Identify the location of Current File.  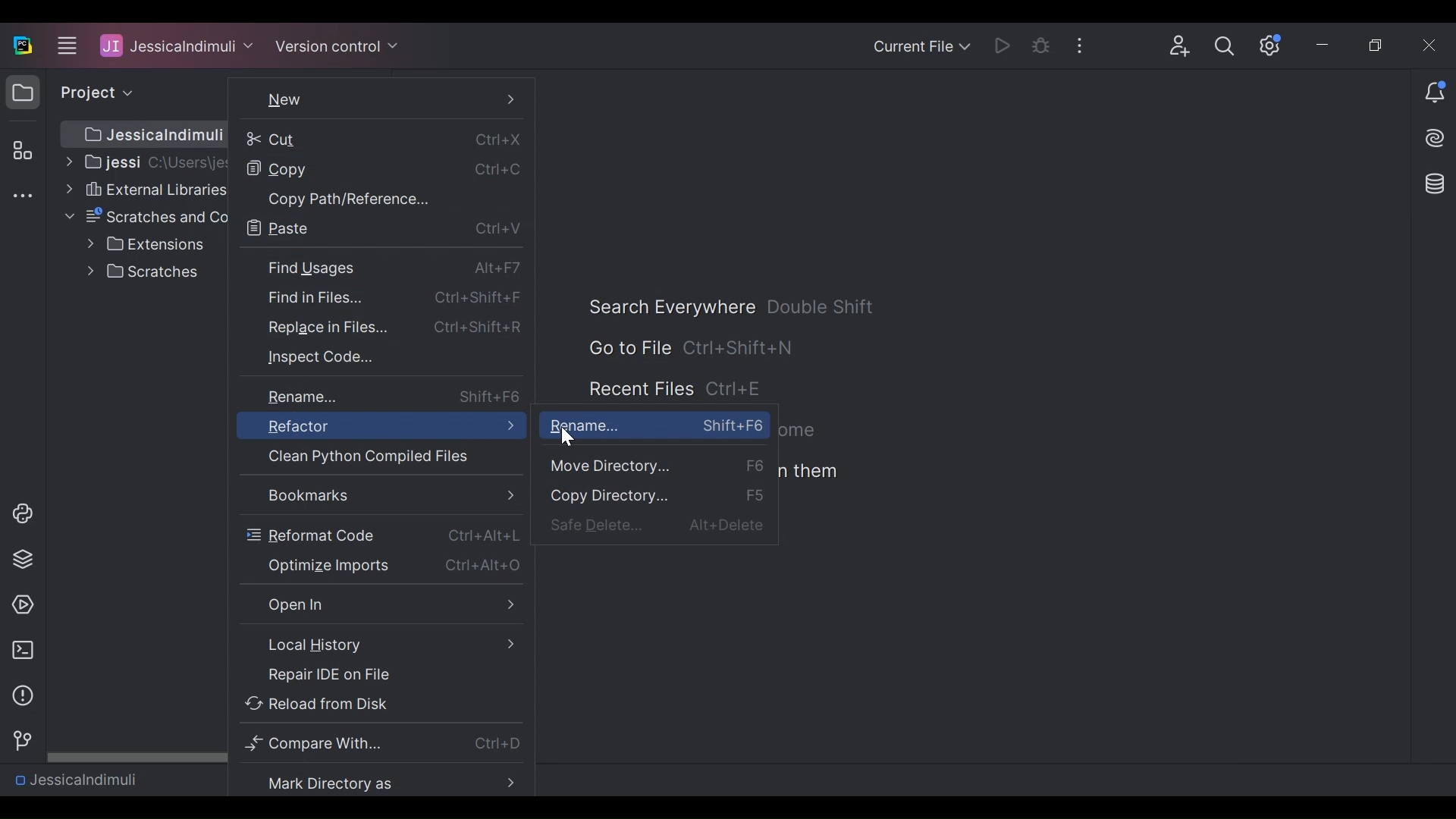
(921, 48).